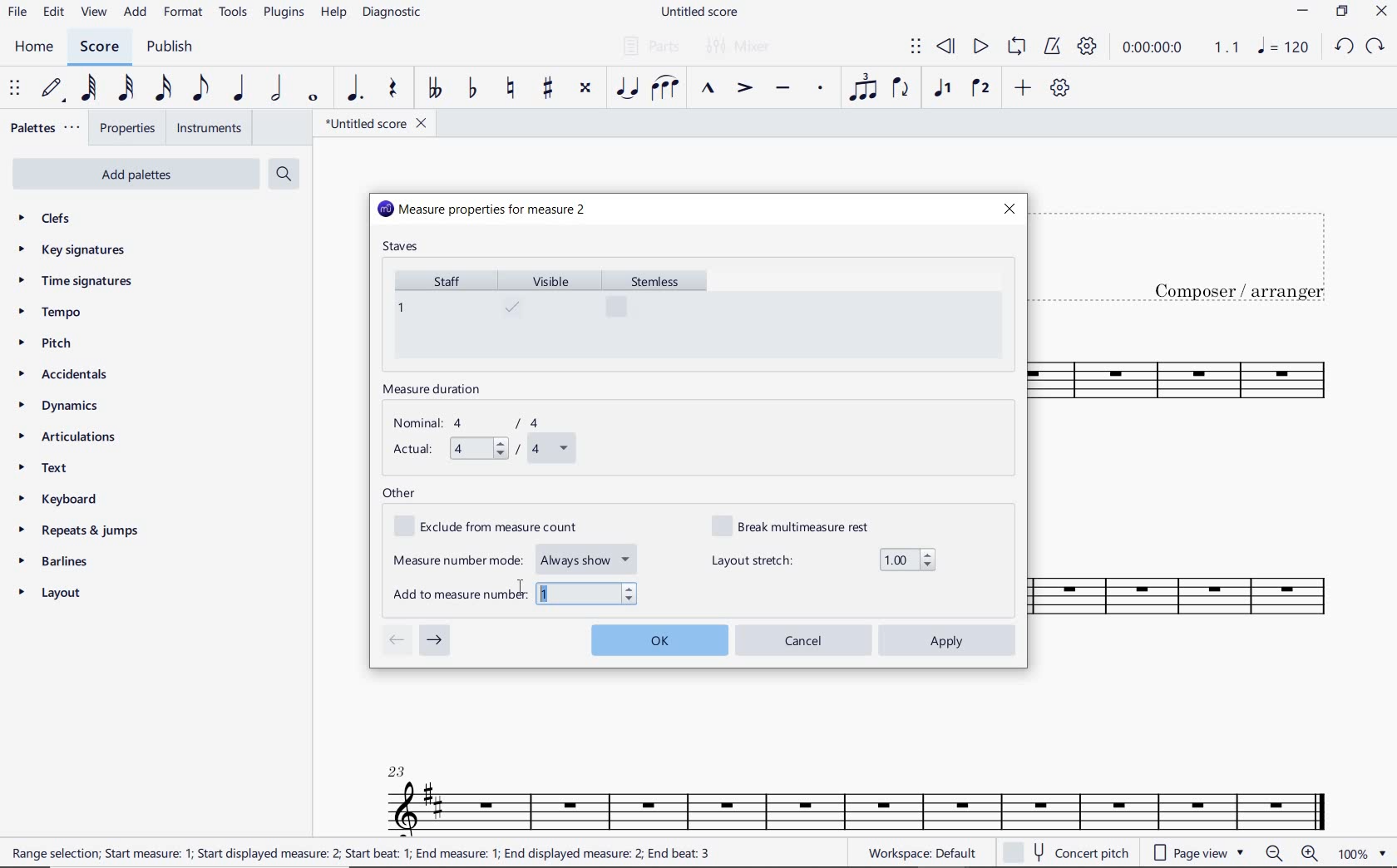 This screenshot has width=1397, height=868. I want to click on DEFAULT (STEP TIME), so click(54, 89).